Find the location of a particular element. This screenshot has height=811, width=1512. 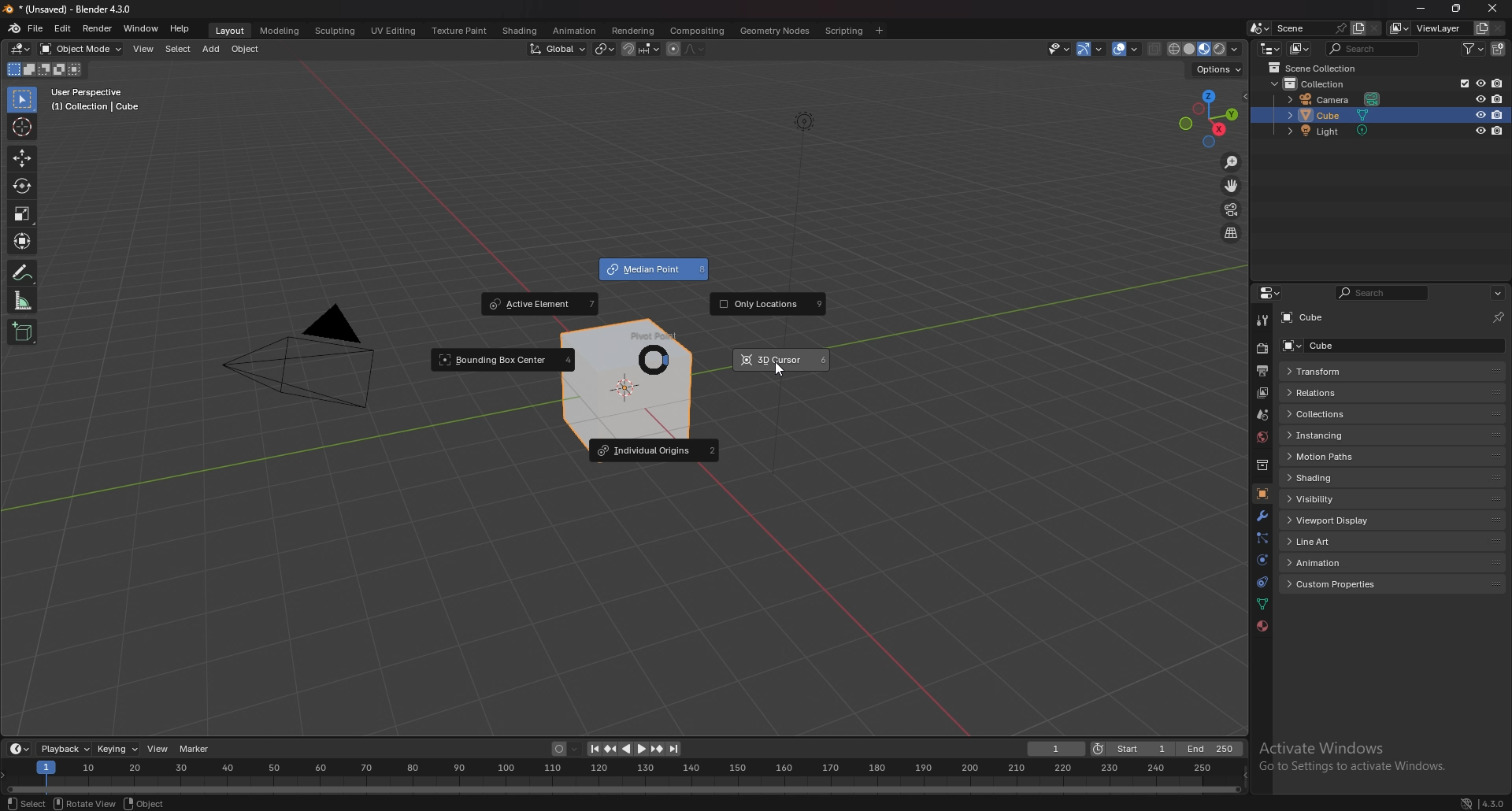

edit is located at coordinates (63, 28).